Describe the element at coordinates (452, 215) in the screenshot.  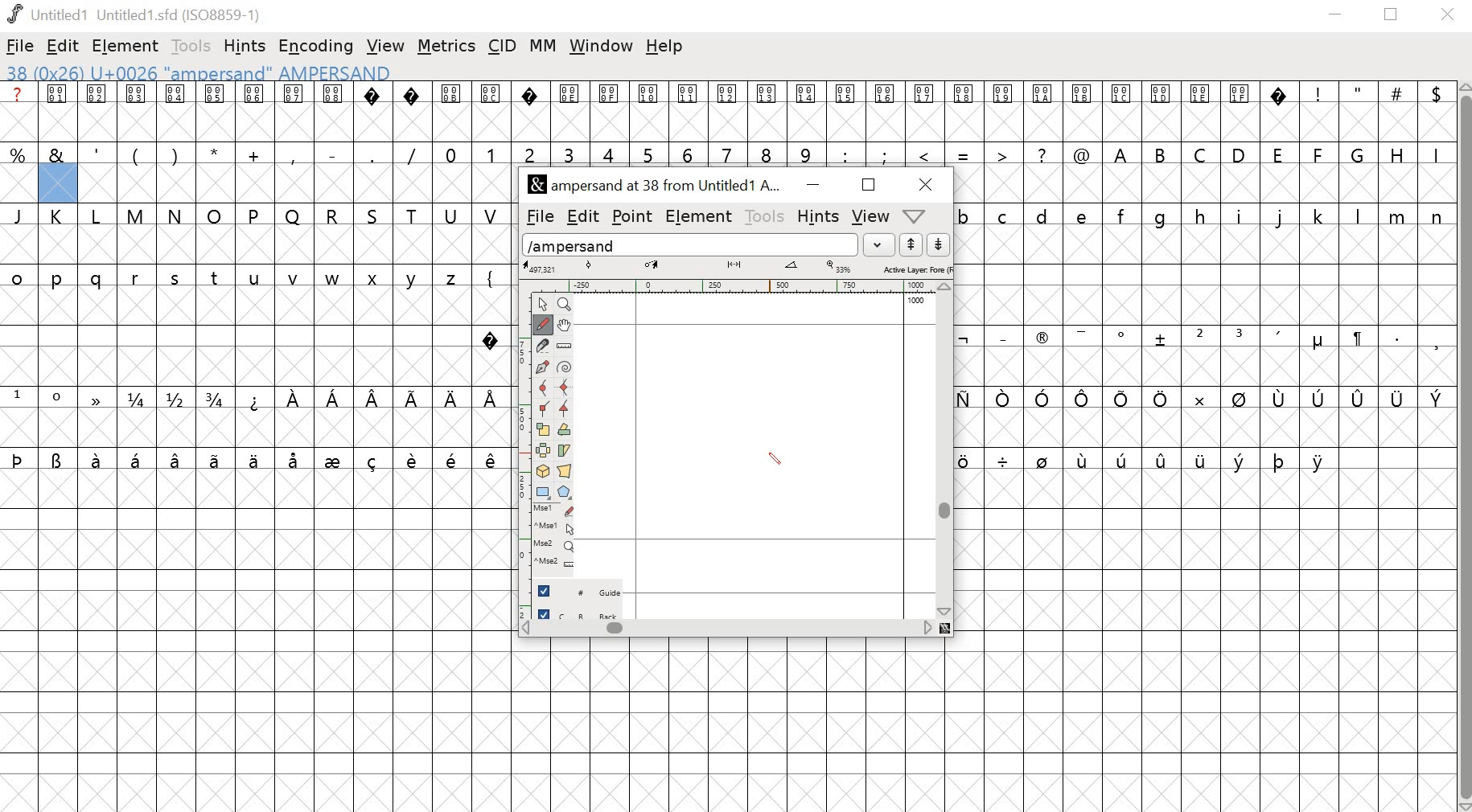
I see `U` at that location.